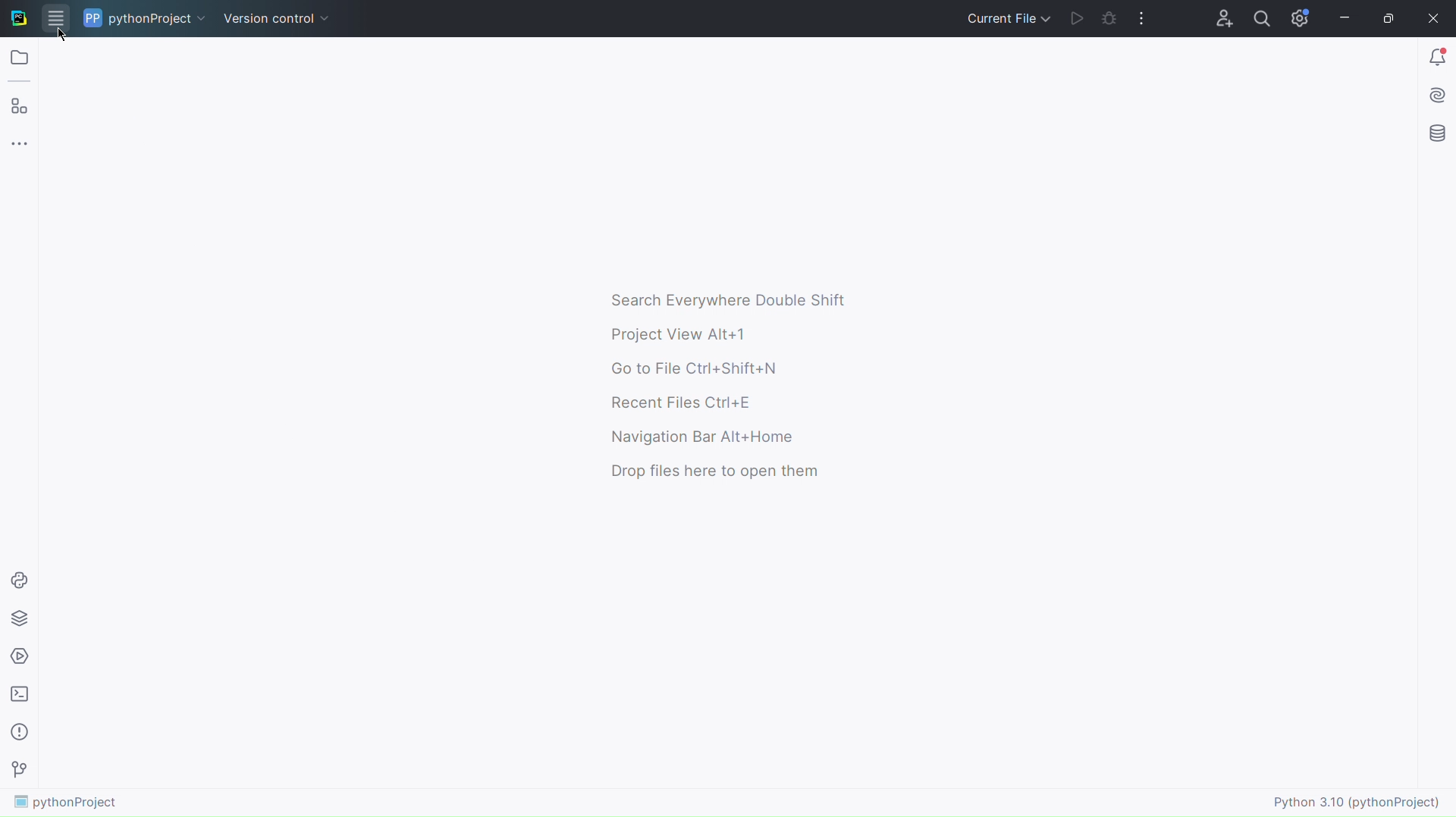 This screenshot has height=817, width=1456. What do you see at coordinates (698, 368) in the screenshot?
I see `Go to File` at bounding box center [698, 368].